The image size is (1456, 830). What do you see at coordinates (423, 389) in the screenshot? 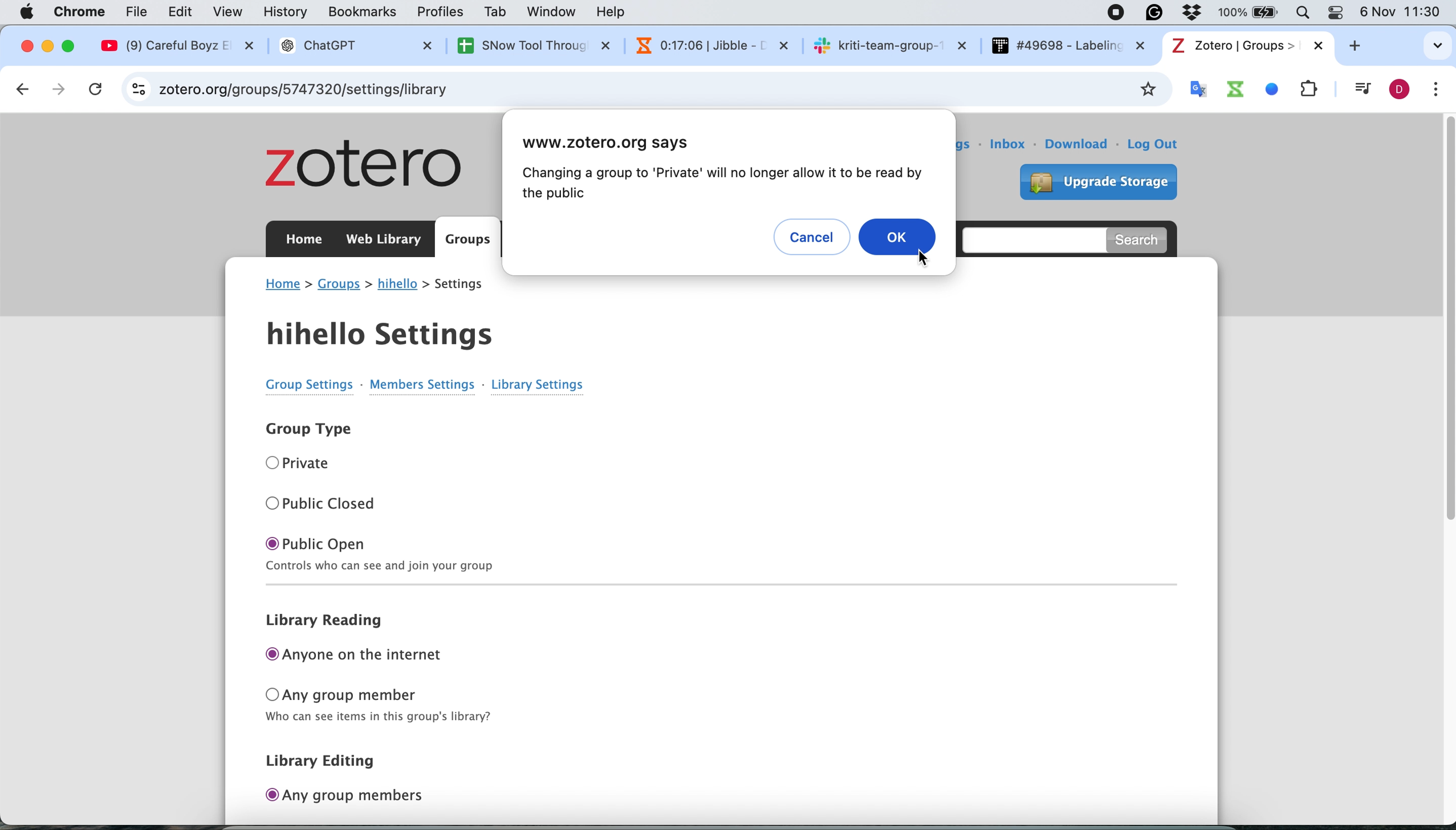
I see `Members settings` at bounding box center [423, 389].